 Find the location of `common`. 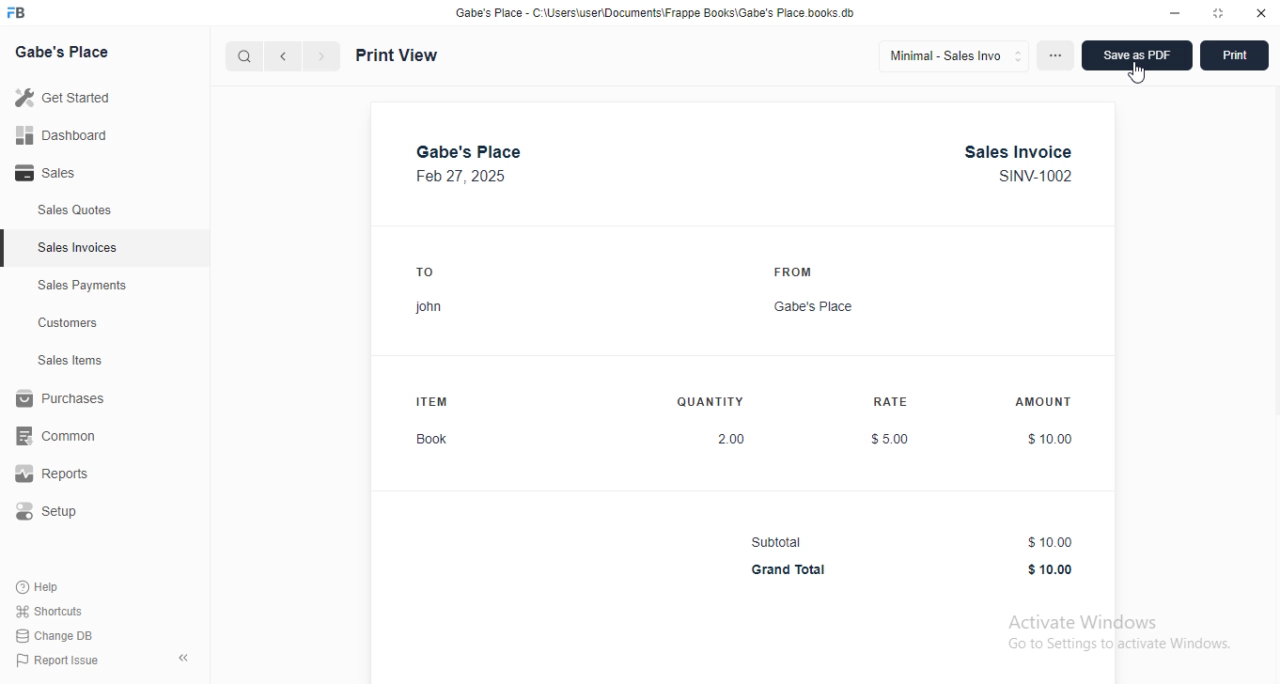

common is located at coordinates (55, 436).